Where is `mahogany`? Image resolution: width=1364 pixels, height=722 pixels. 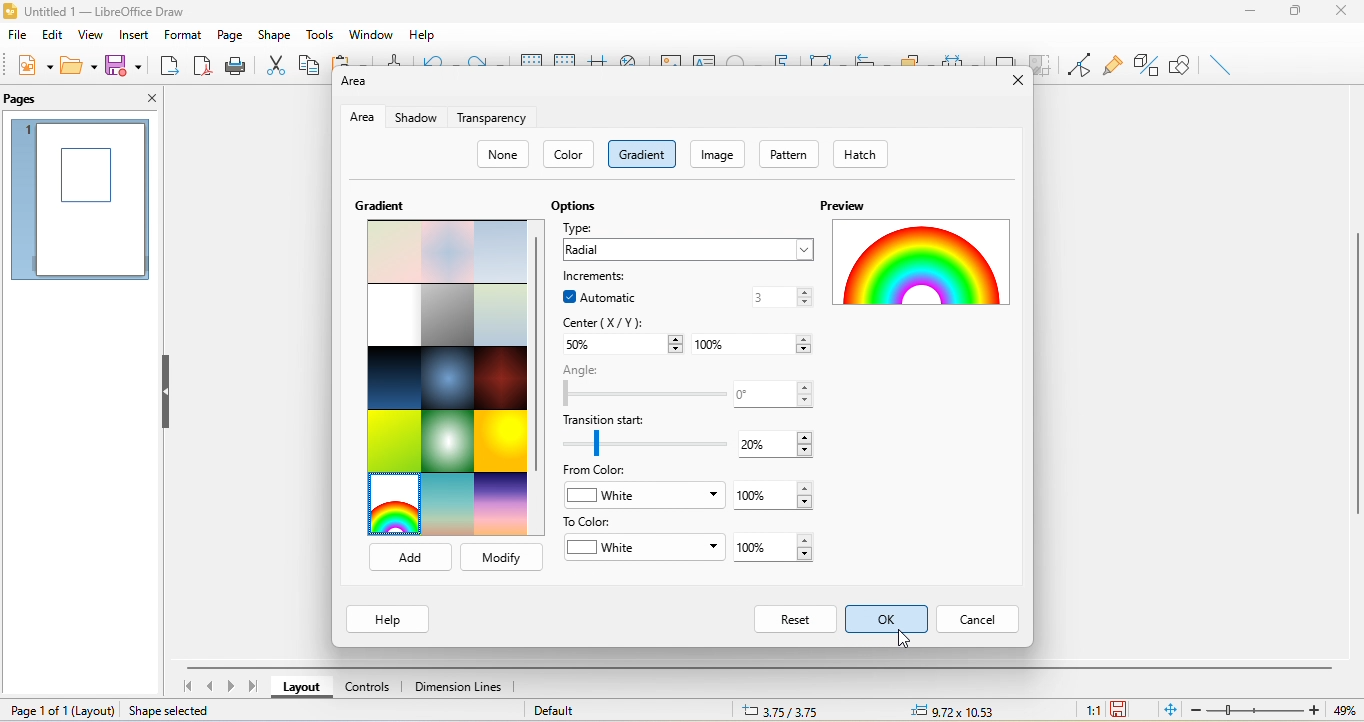 mahogany is located at coordinates (501, 382).